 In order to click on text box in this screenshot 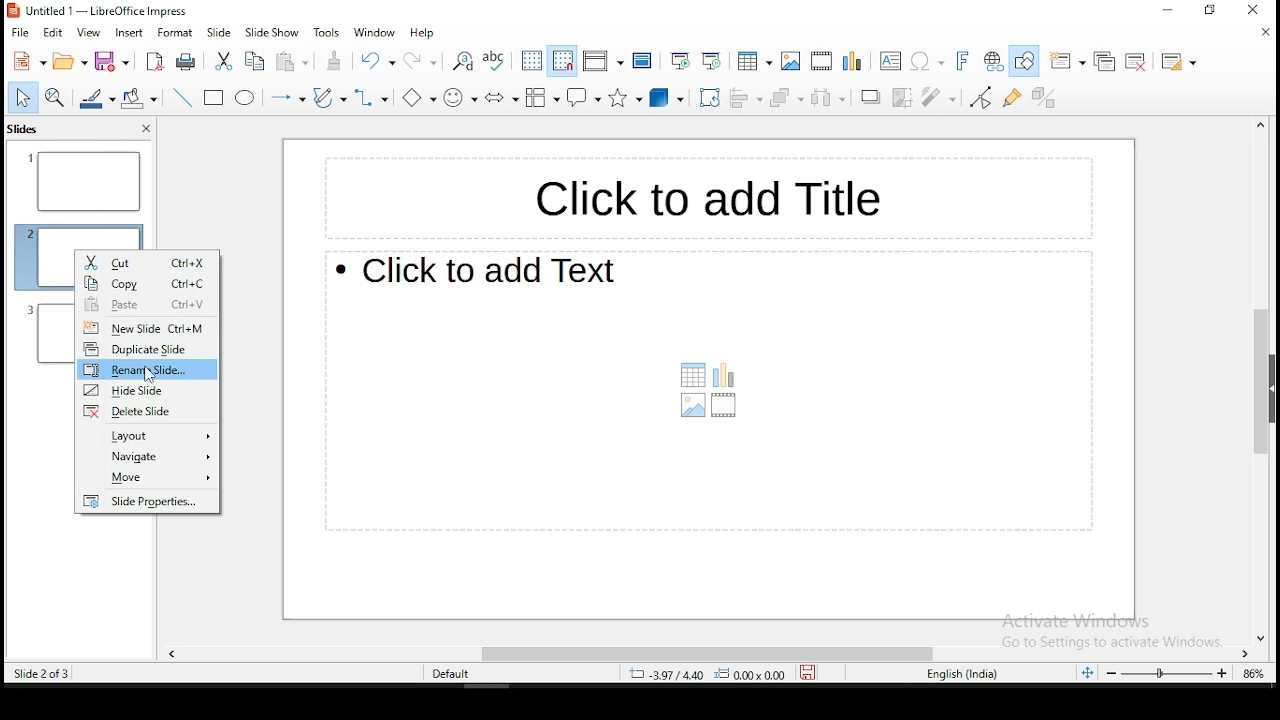, I will do `click(699, 194)`.